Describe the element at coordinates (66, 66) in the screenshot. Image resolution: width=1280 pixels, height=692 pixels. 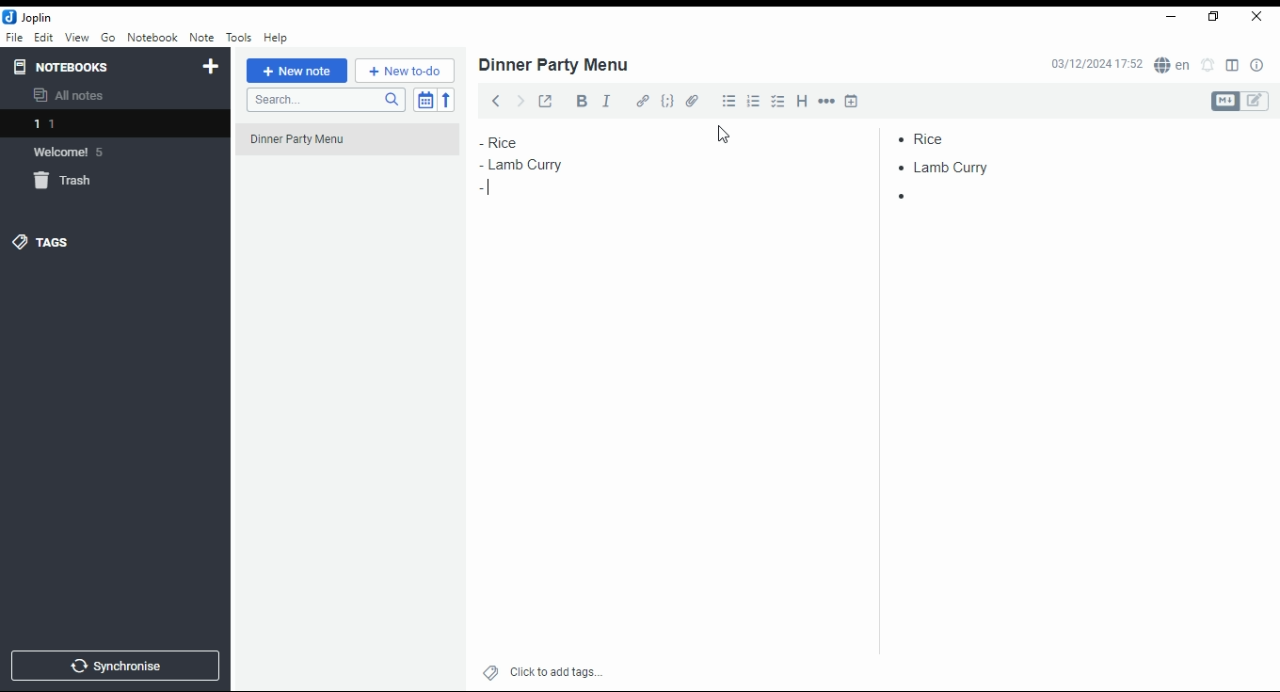
I see `notebooks` at that location.